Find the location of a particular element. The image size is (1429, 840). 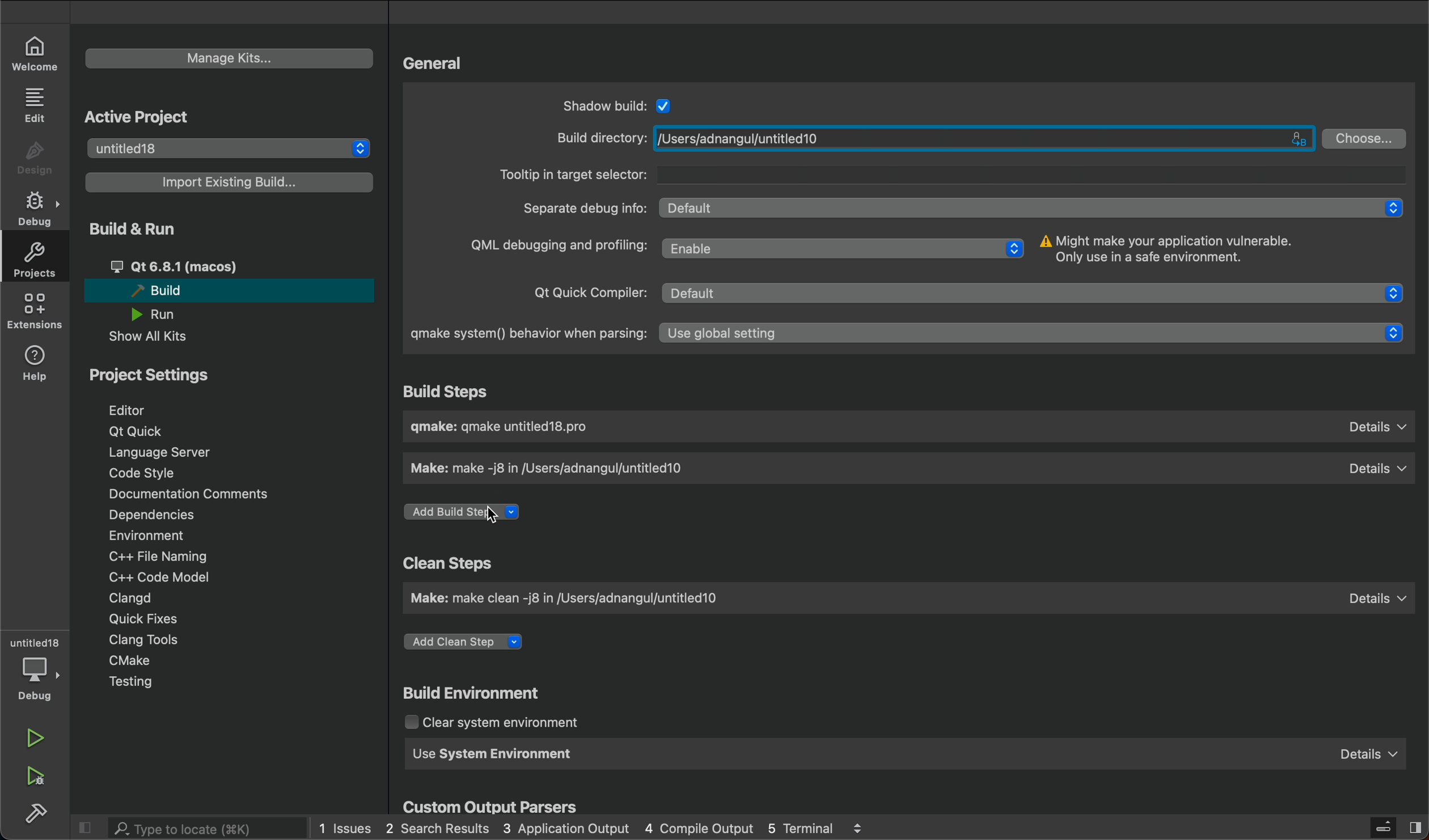

Details is located at coordinates (1376, 468).